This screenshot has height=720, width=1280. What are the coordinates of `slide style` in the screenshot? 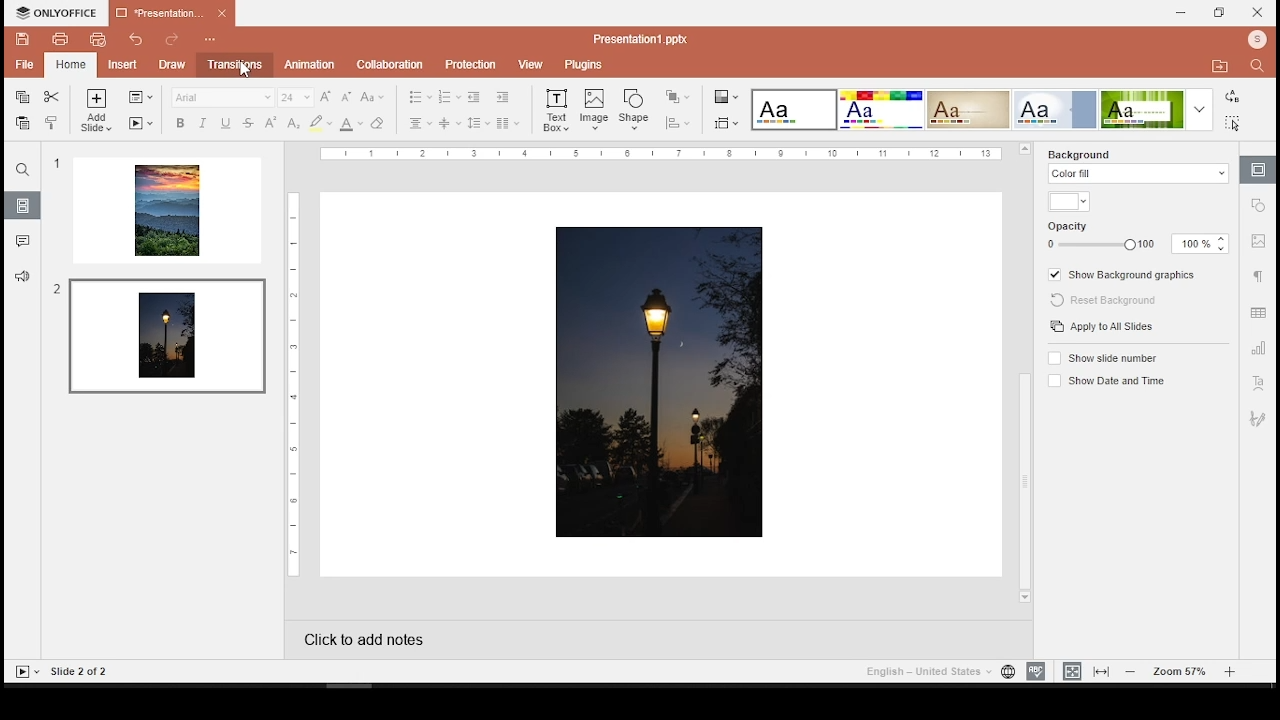 It's located at (794, 109).